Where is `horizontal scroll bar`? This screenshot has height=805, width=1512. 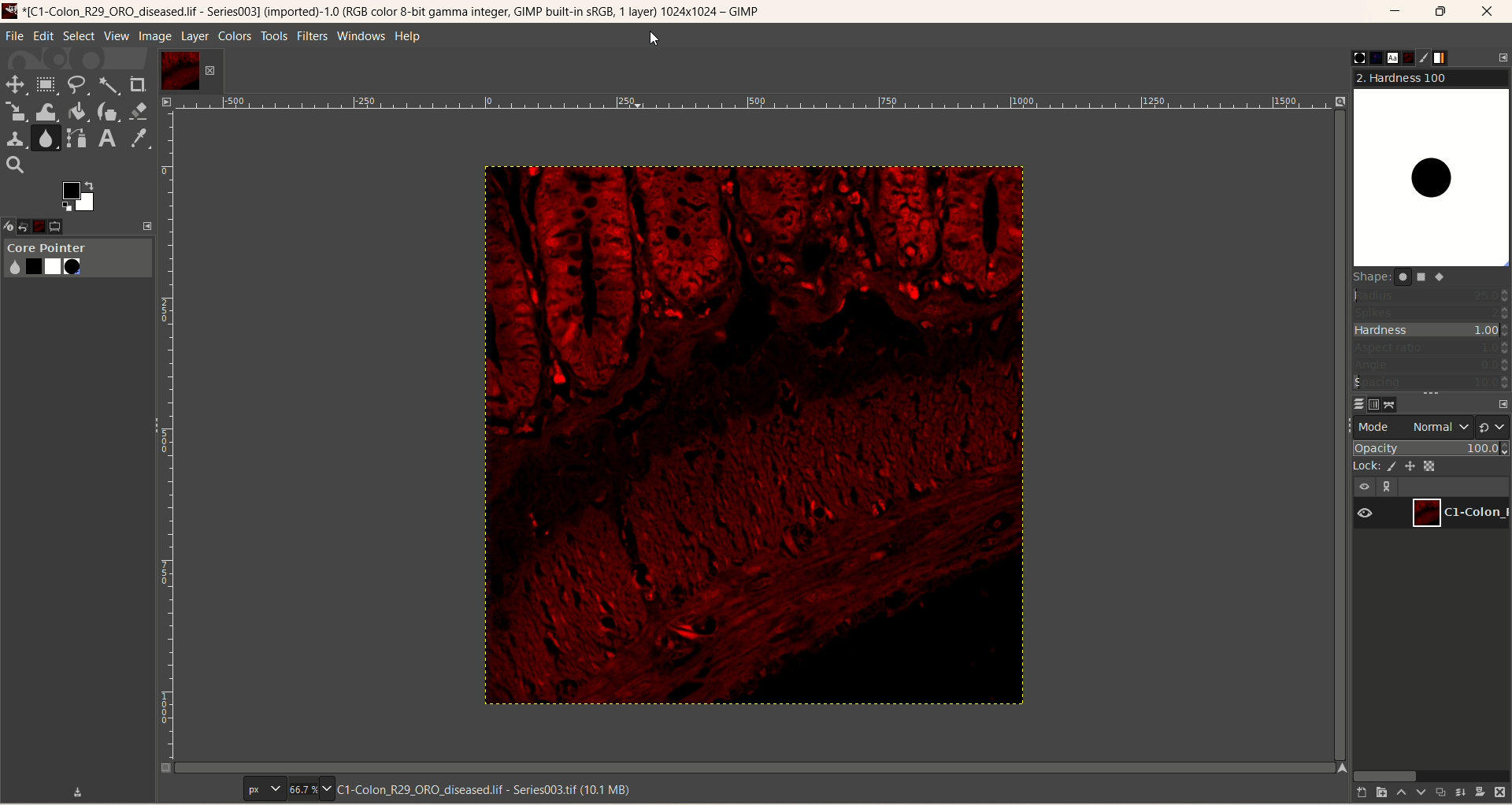 horizontal scroll bar is located at coordinates (1429, 774).